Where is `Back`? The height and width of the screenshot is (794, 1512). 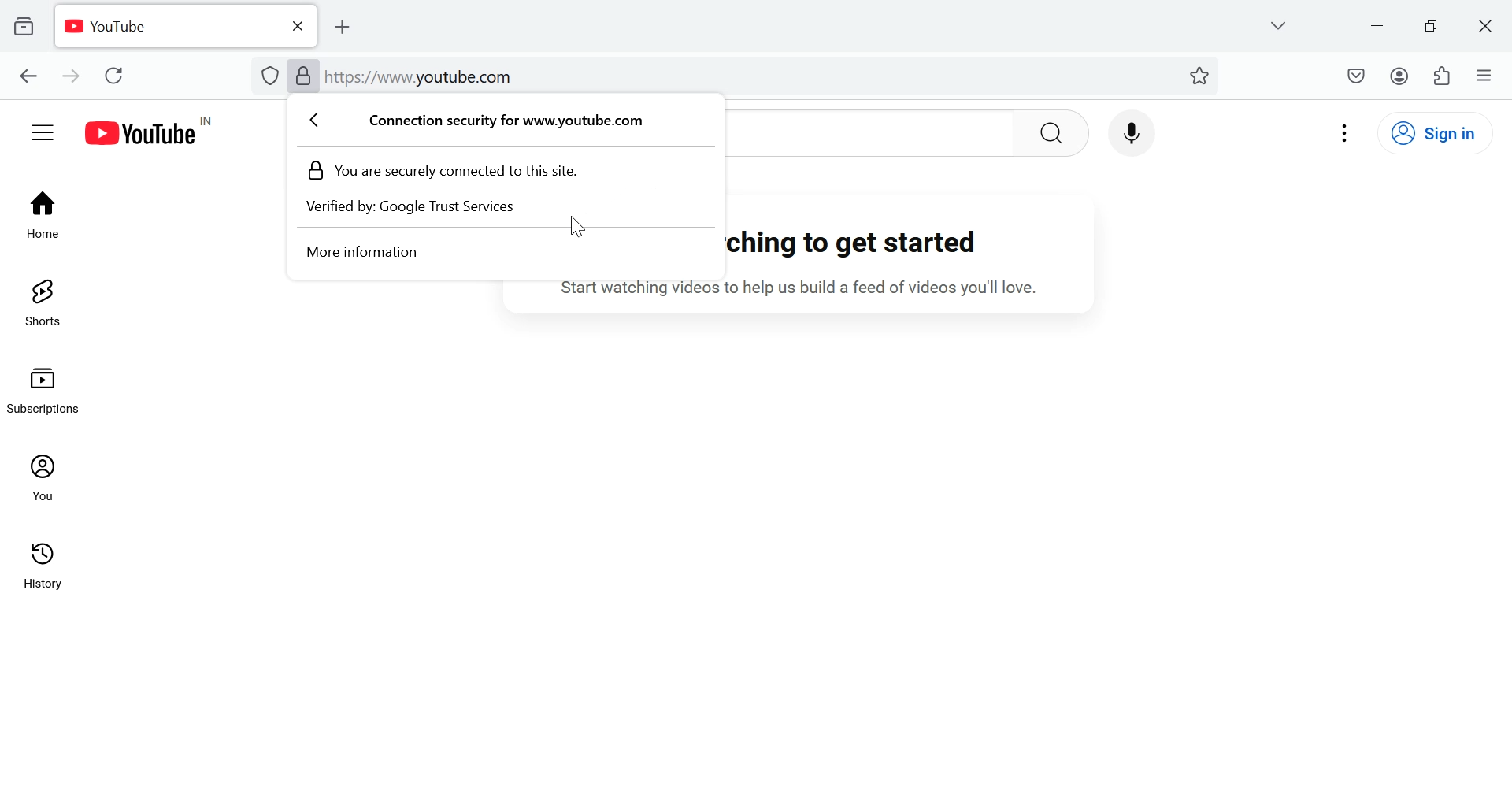 Back is located at coordinates (322, 121).